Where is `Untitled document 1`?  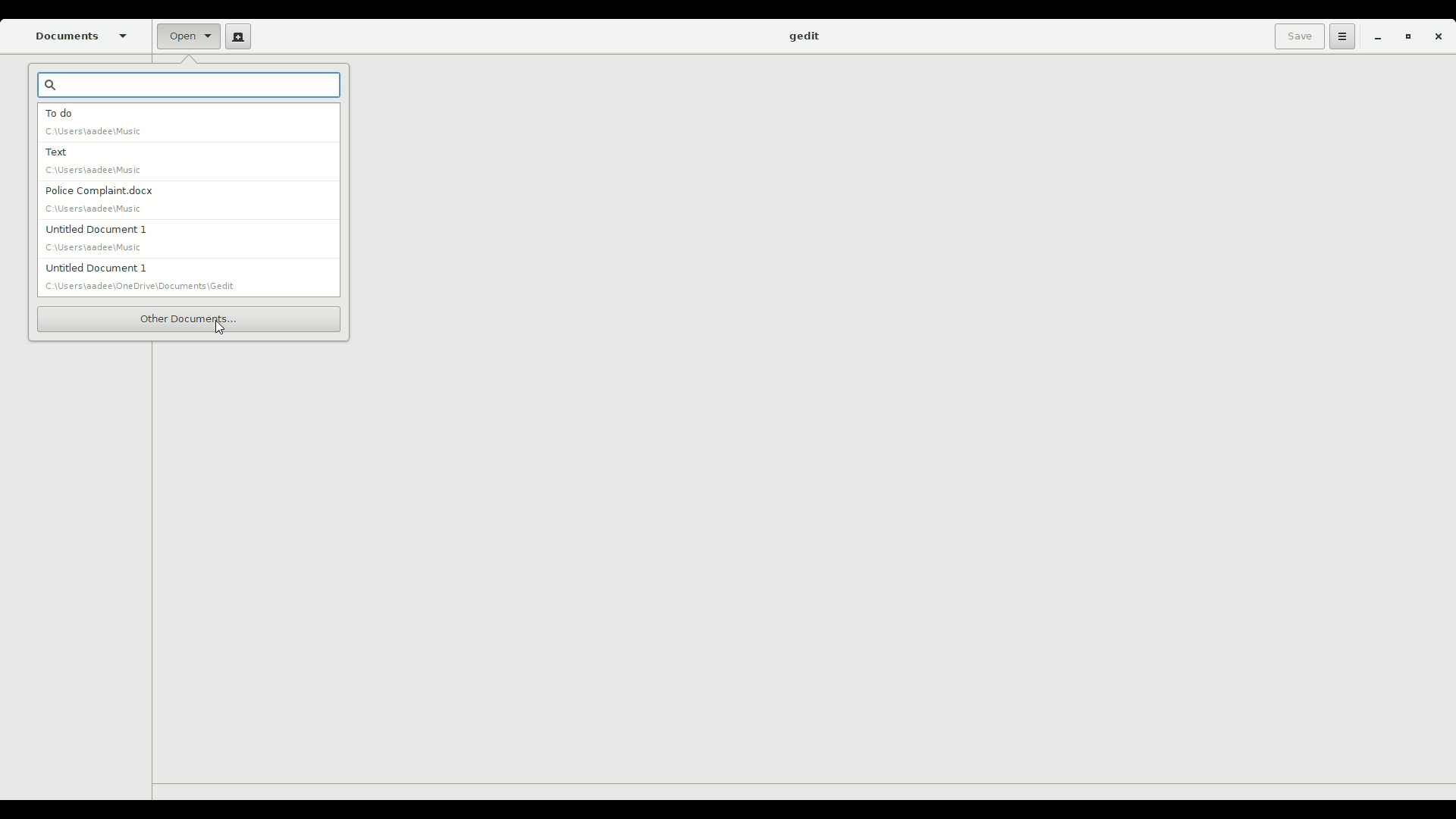
Untitled document 1 is located at coordinates (147, 276).